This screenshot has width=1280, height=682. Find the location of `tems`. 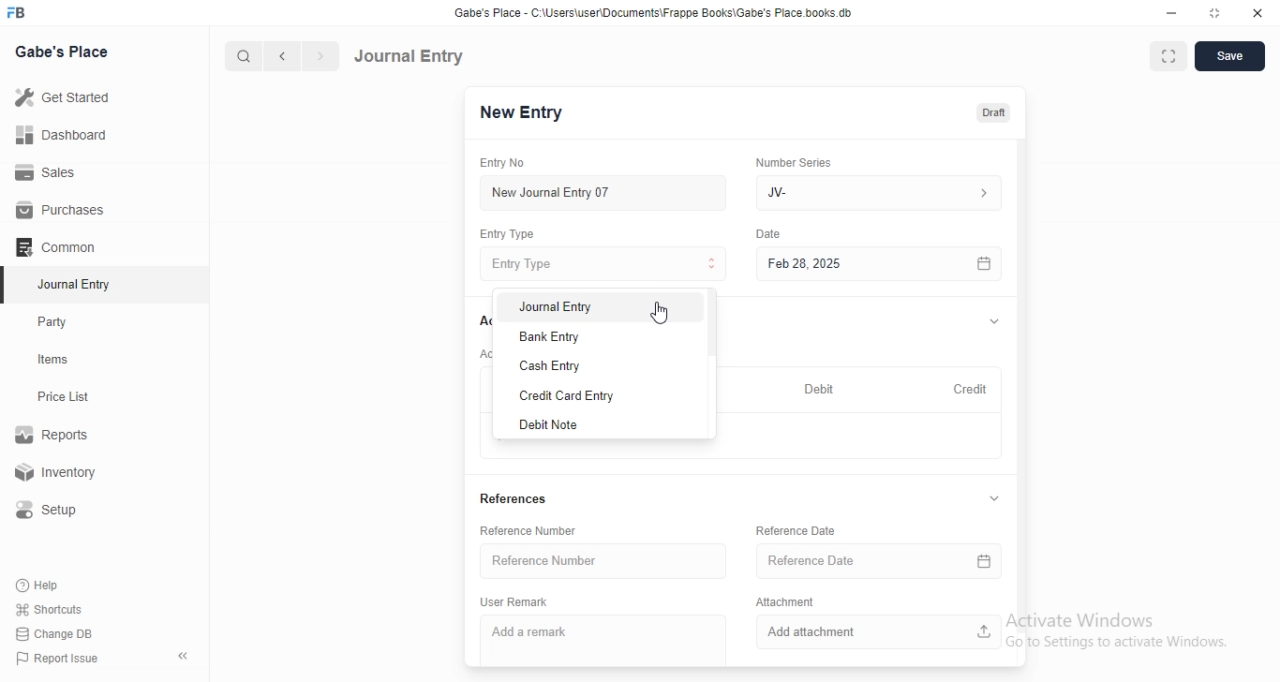

tems is located at coordinates (61, 360).